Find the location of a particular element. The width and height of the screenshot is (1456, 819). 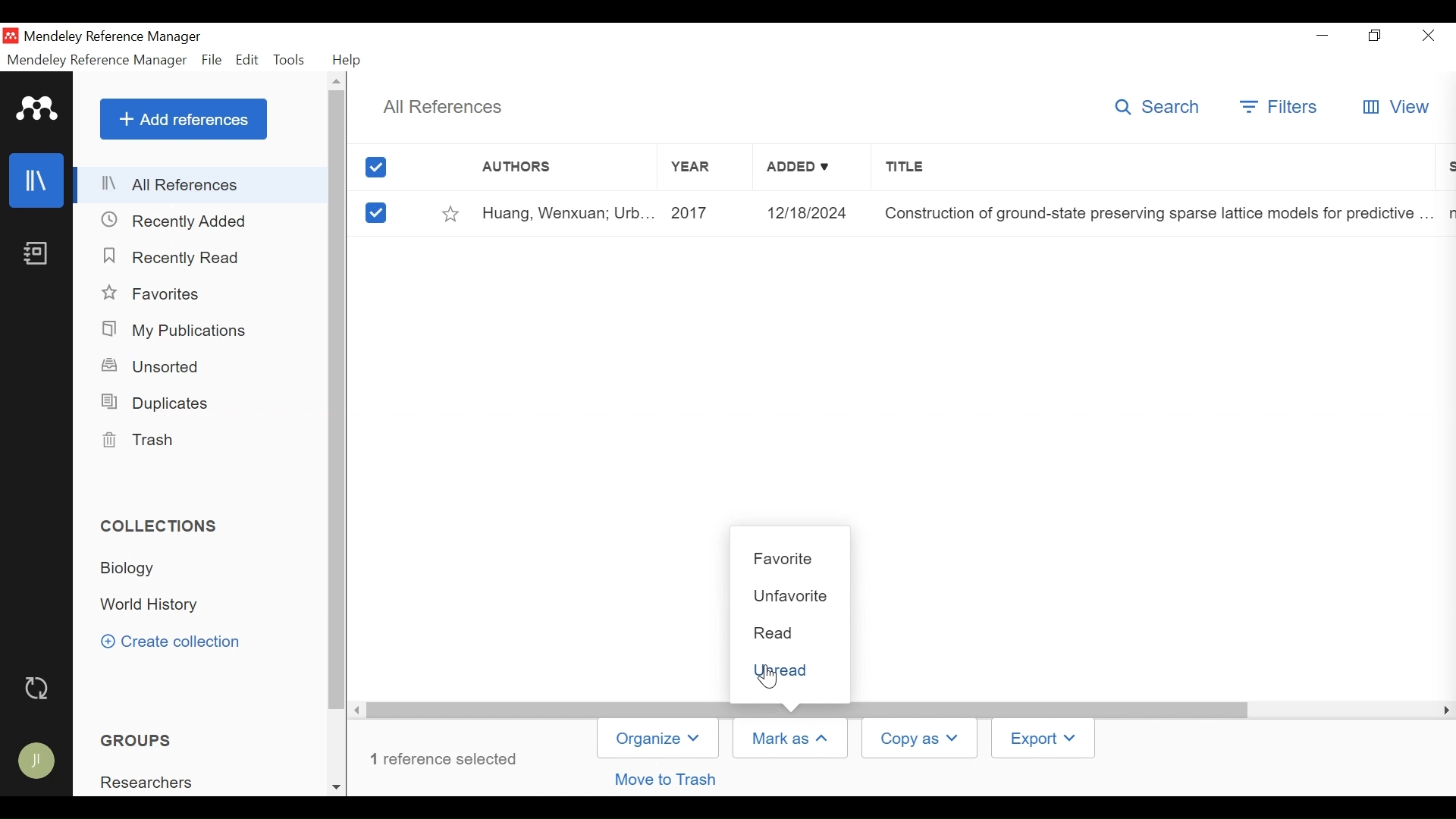

Group is located at coordinates (156, 782).